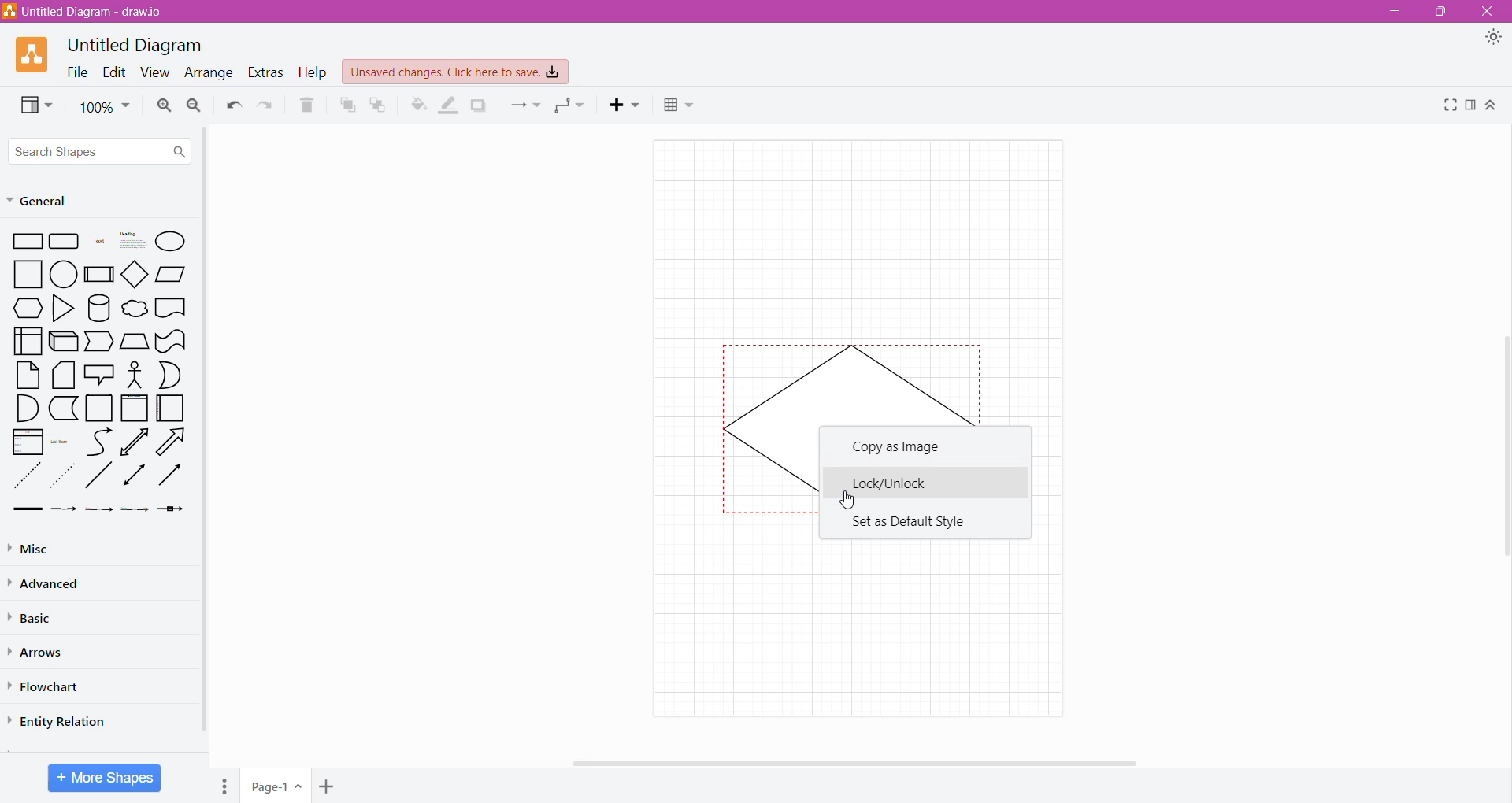 The width and height of the screenshot is (1512, 803). Describe the element at coordinates (98, 242) in the screenshot. I see `Text` at that location.